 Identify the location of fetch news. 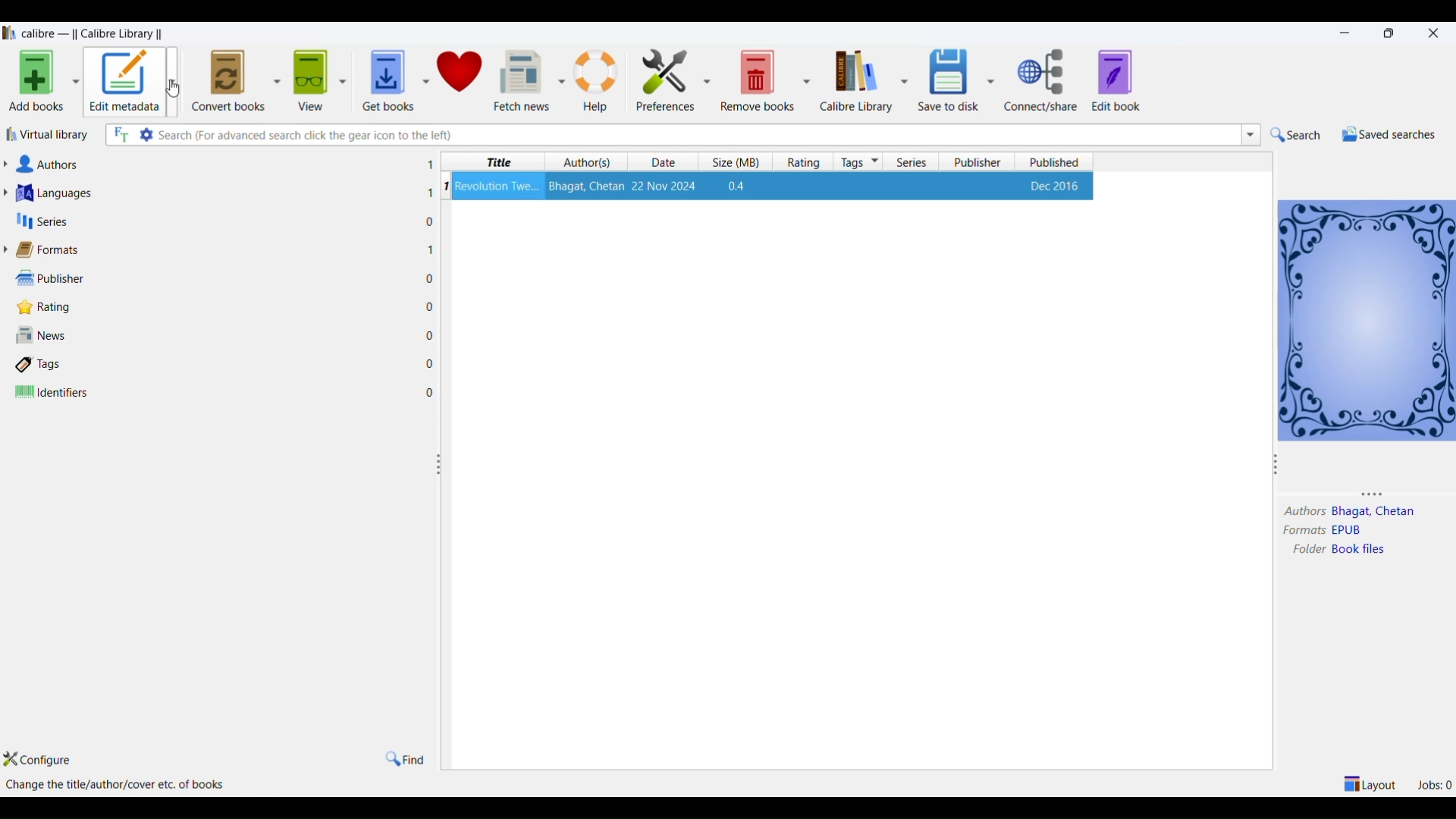
(522, 79).